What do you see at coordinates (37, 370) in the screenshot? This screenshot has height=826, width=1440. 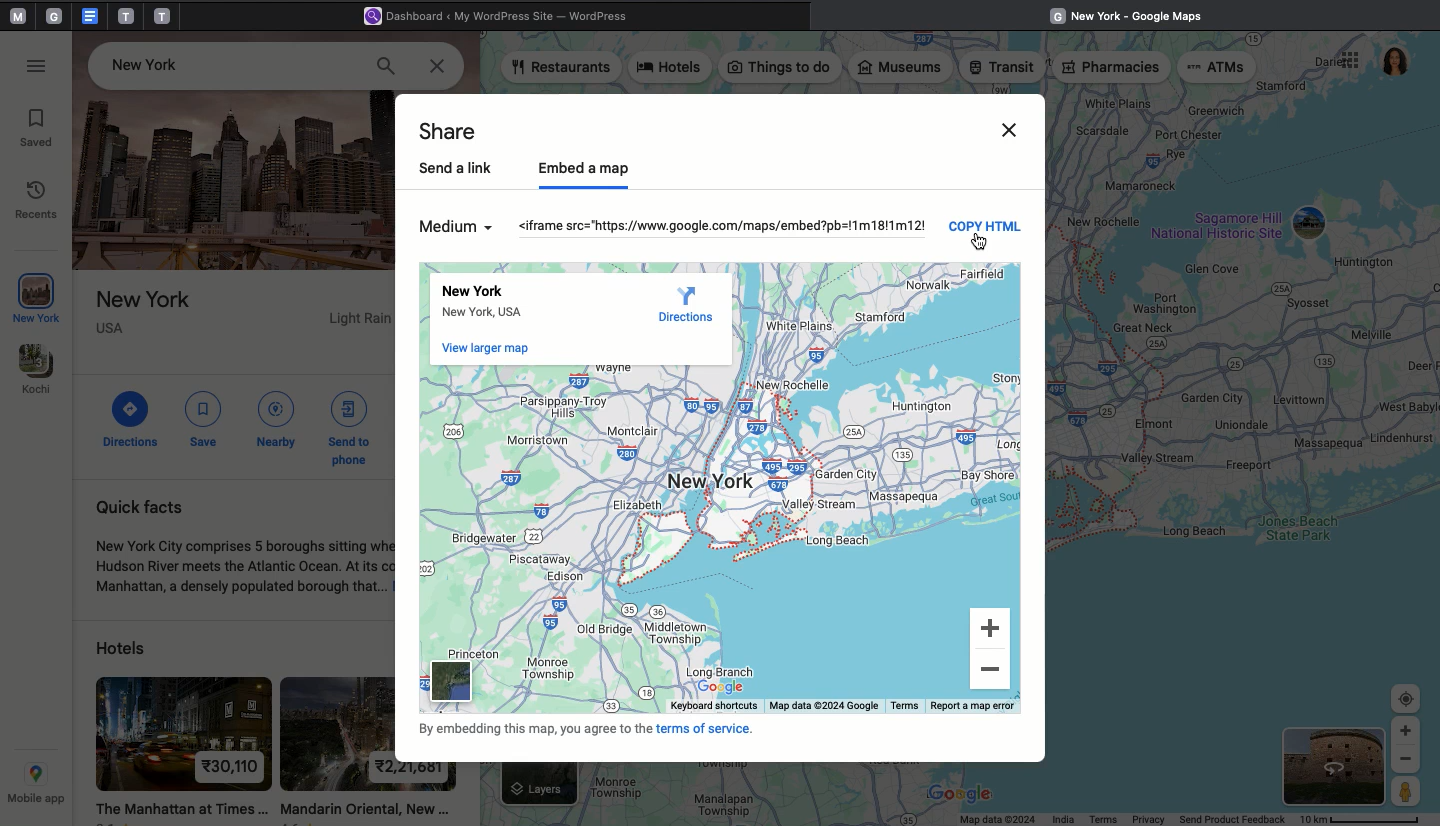 I see `Kochi` at bounding box center [37, 370].